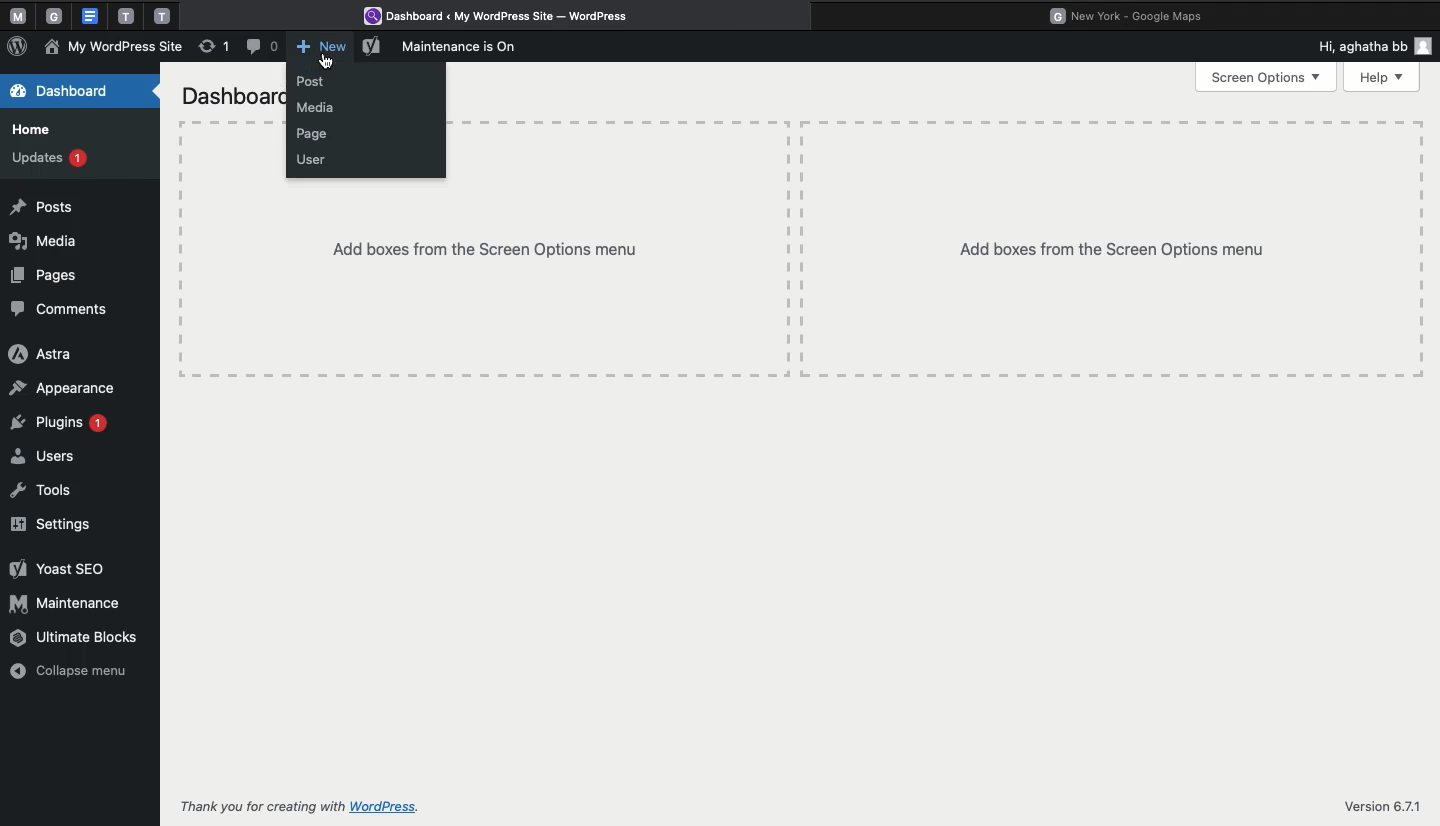 This screenshot has width=1440, height=826. Describe the element at coordinates (1109, 246) in the screenshot. I see `add boxes from the screen options menu` at that location.